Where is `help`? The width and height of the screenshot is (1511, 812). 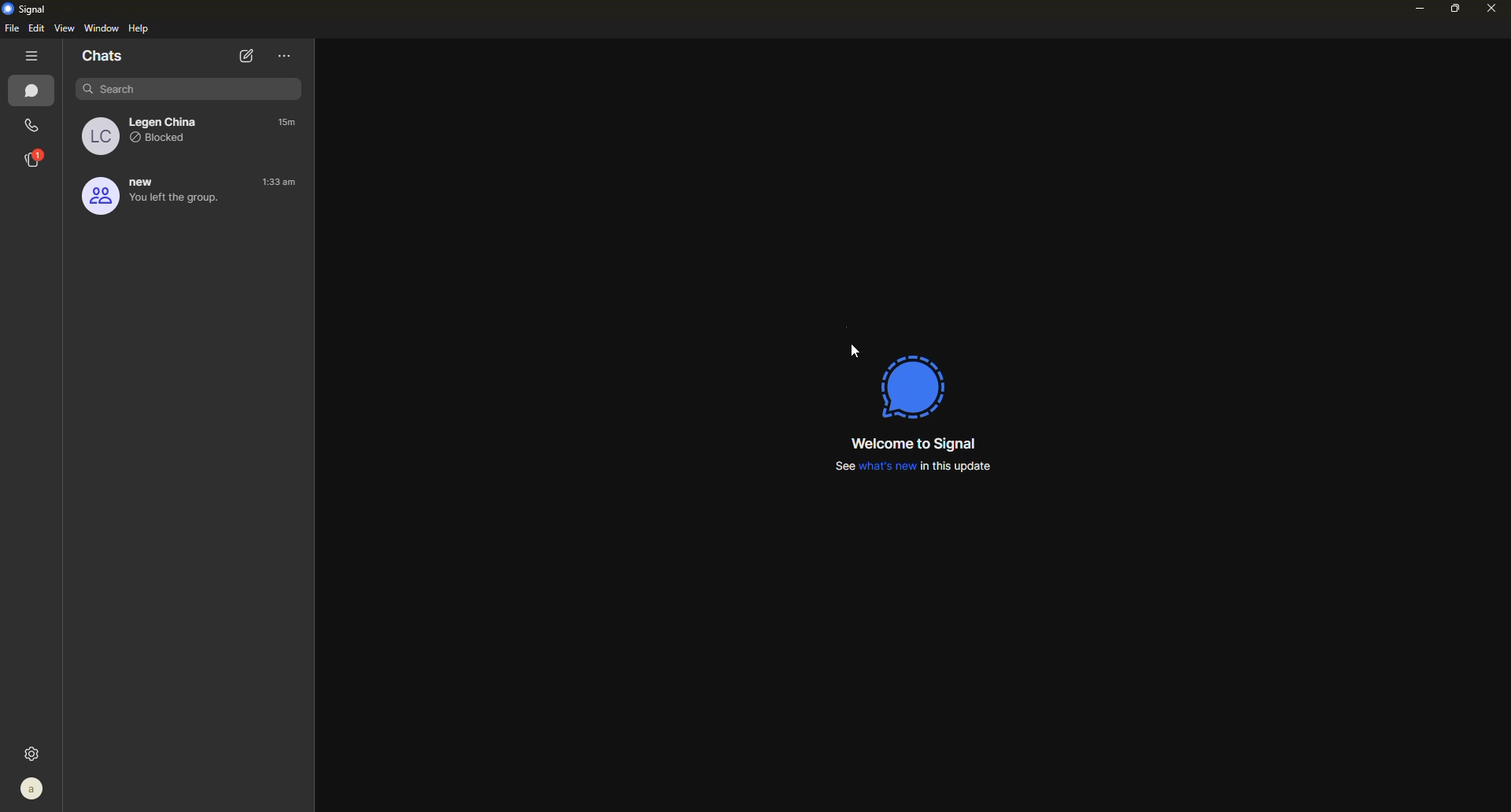 help is located at coordinates (142, 29).